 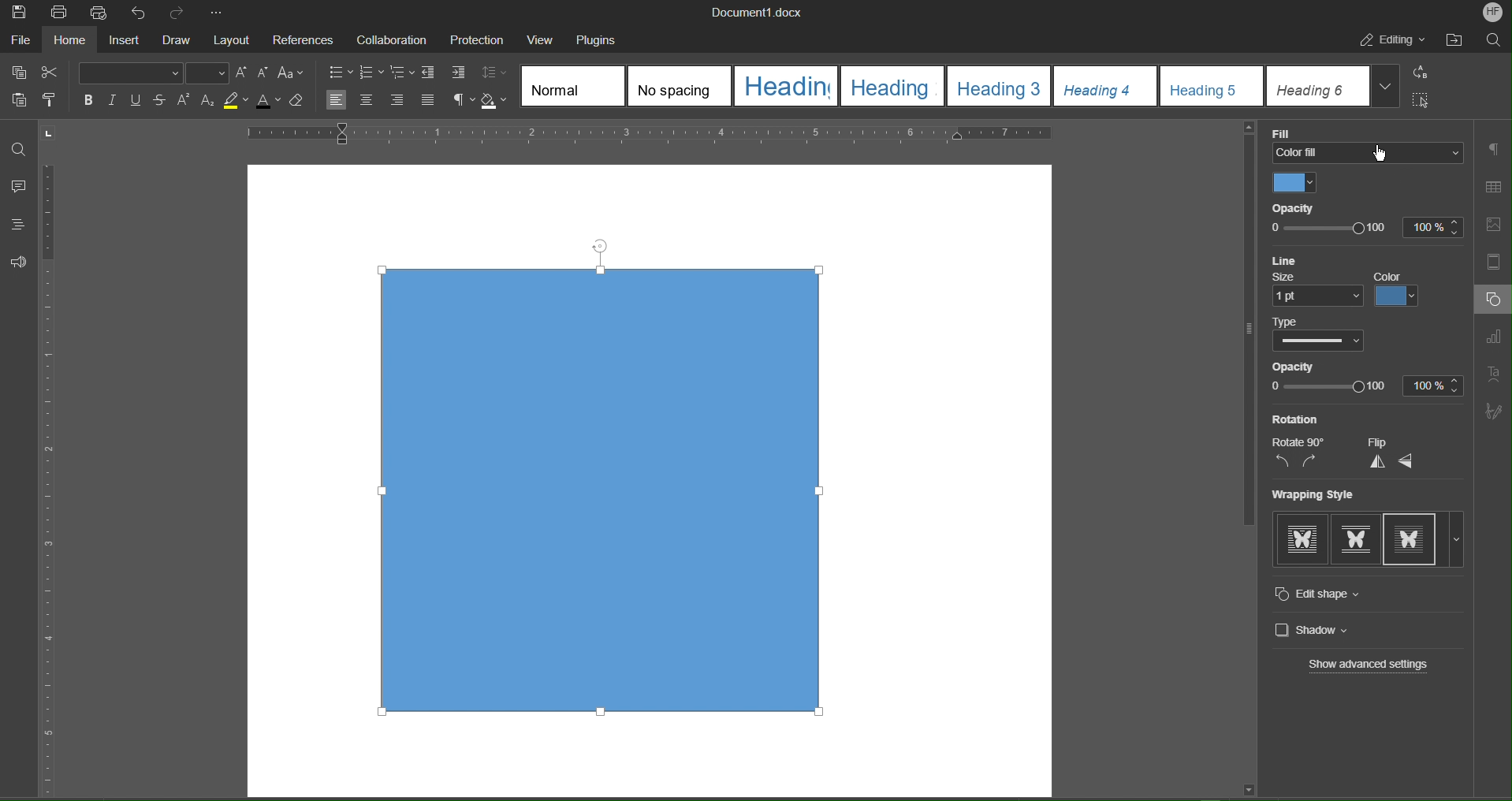 I want to click on View , so click(x=546, y=39).